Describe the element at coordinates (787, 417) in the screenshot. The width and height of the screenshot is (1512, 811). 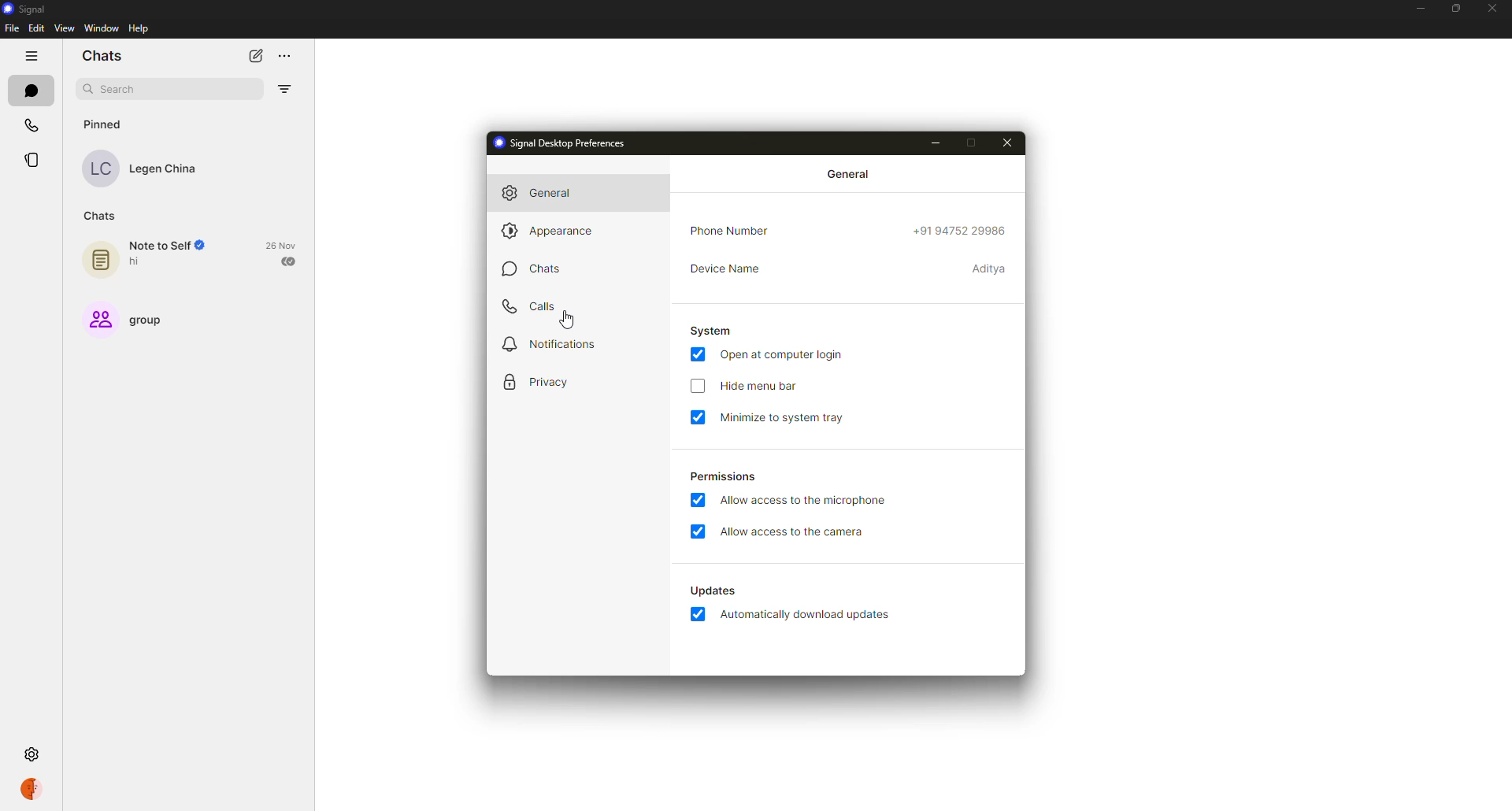
I see `minimize to system tray` at that location.